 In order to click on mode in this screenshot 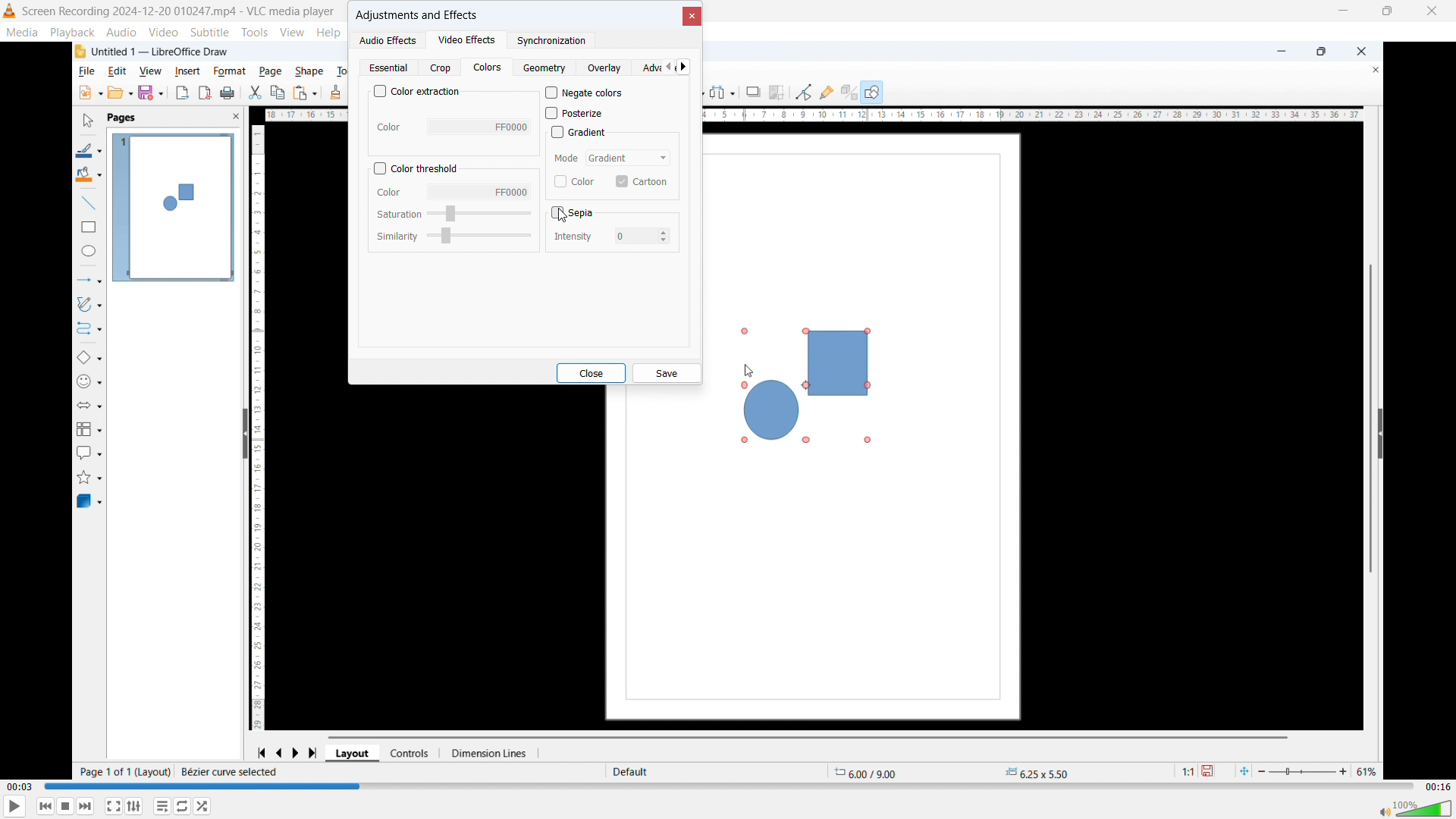, I will do `click(566, 158)`.